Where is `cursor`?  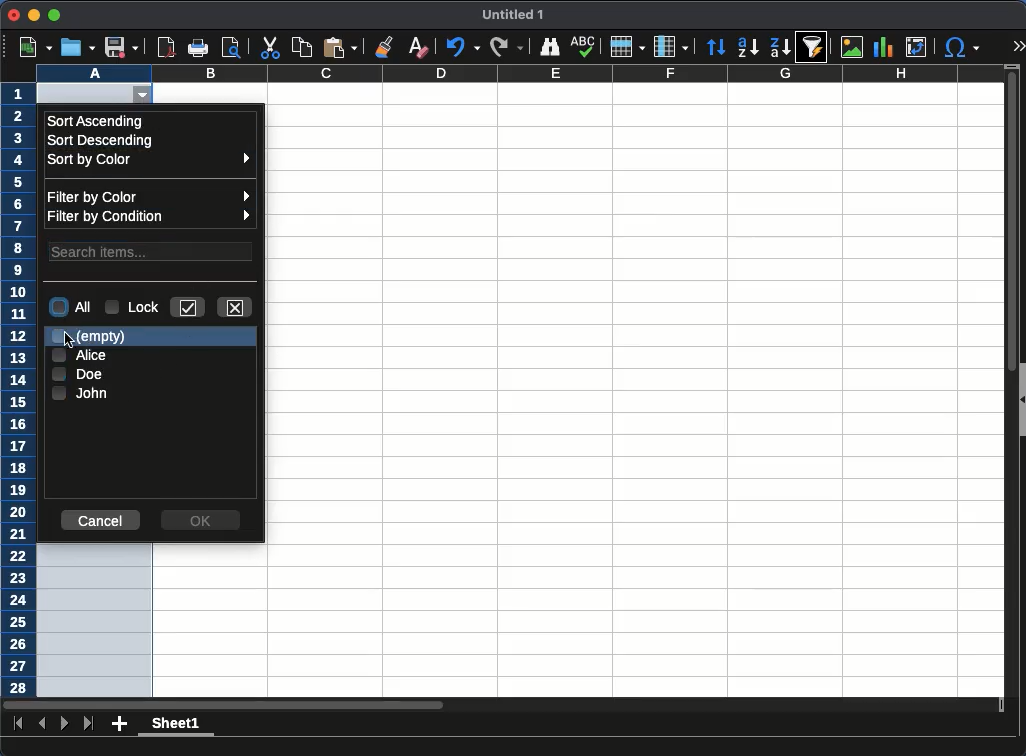 cursor is located at coordinates (70, 340).